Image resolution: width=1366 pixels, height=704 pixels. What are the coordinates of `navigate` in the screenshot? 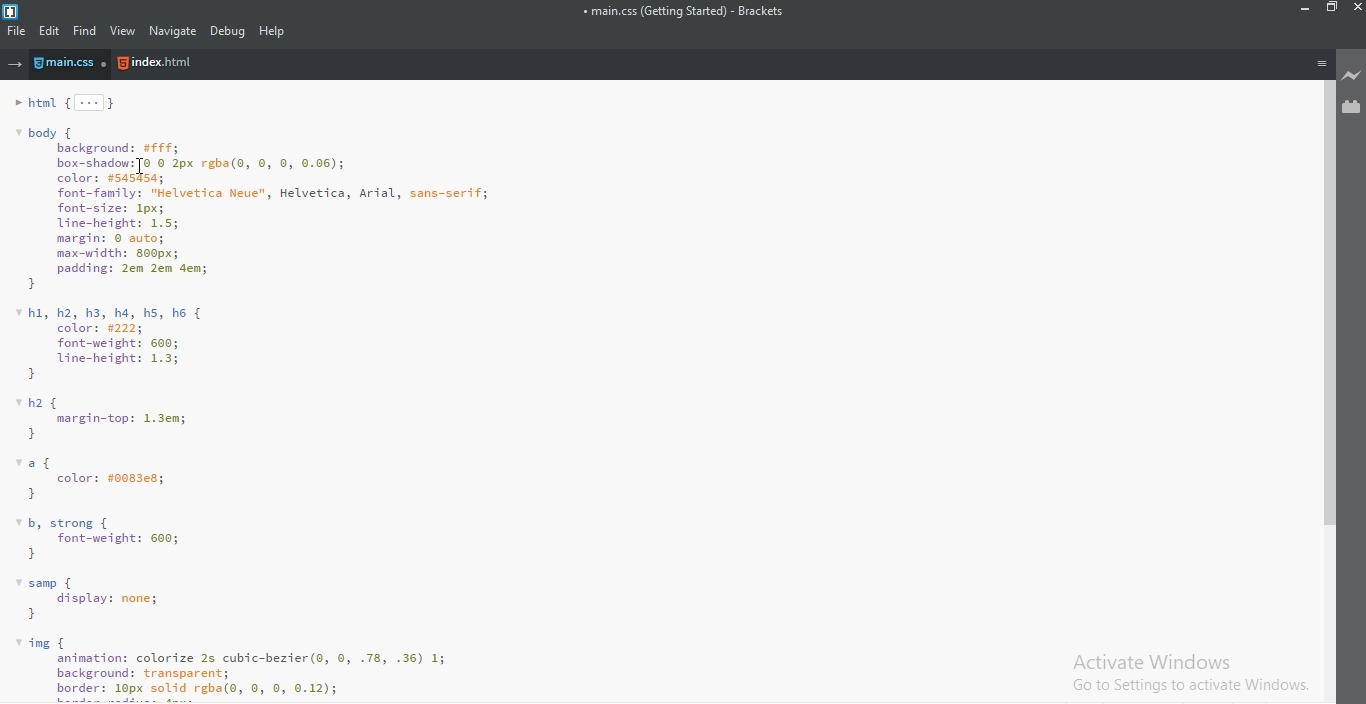 It's located at (171, 31).